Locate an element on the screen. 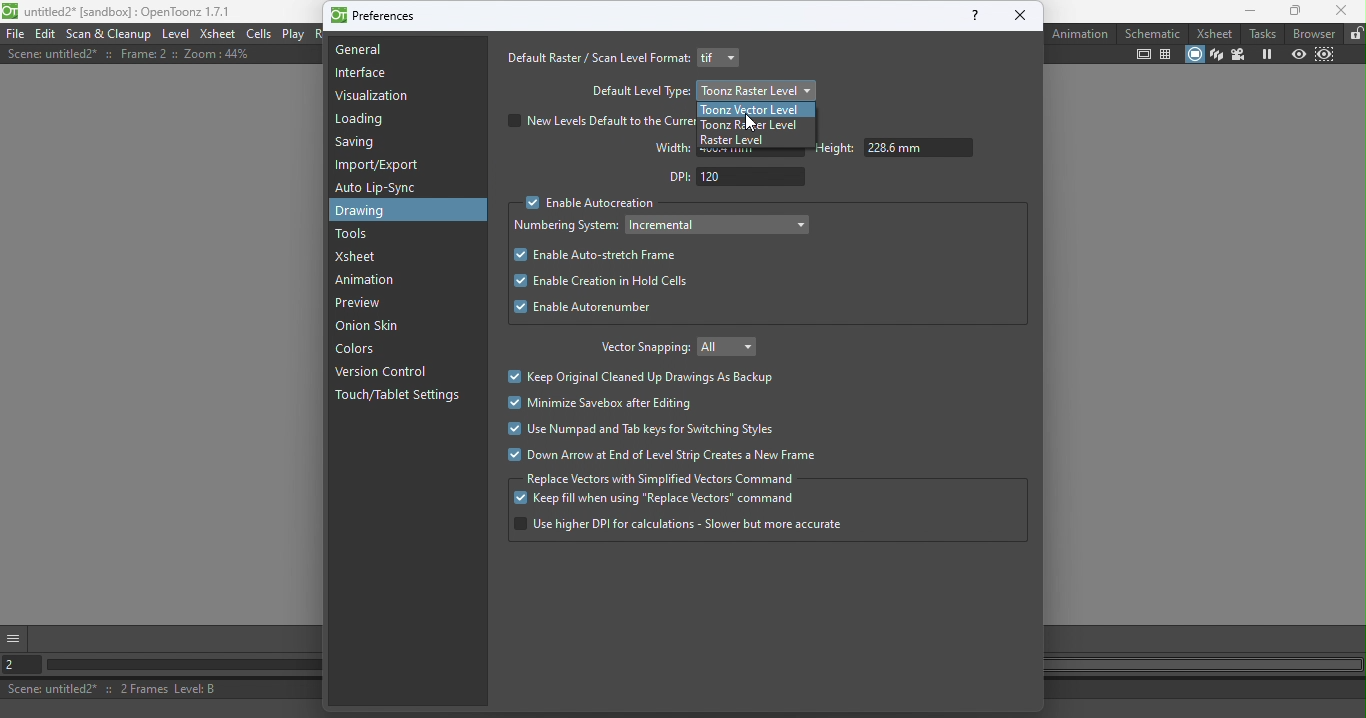 The image size is (1366, 718). Edit is located at coordinates (47, 33).